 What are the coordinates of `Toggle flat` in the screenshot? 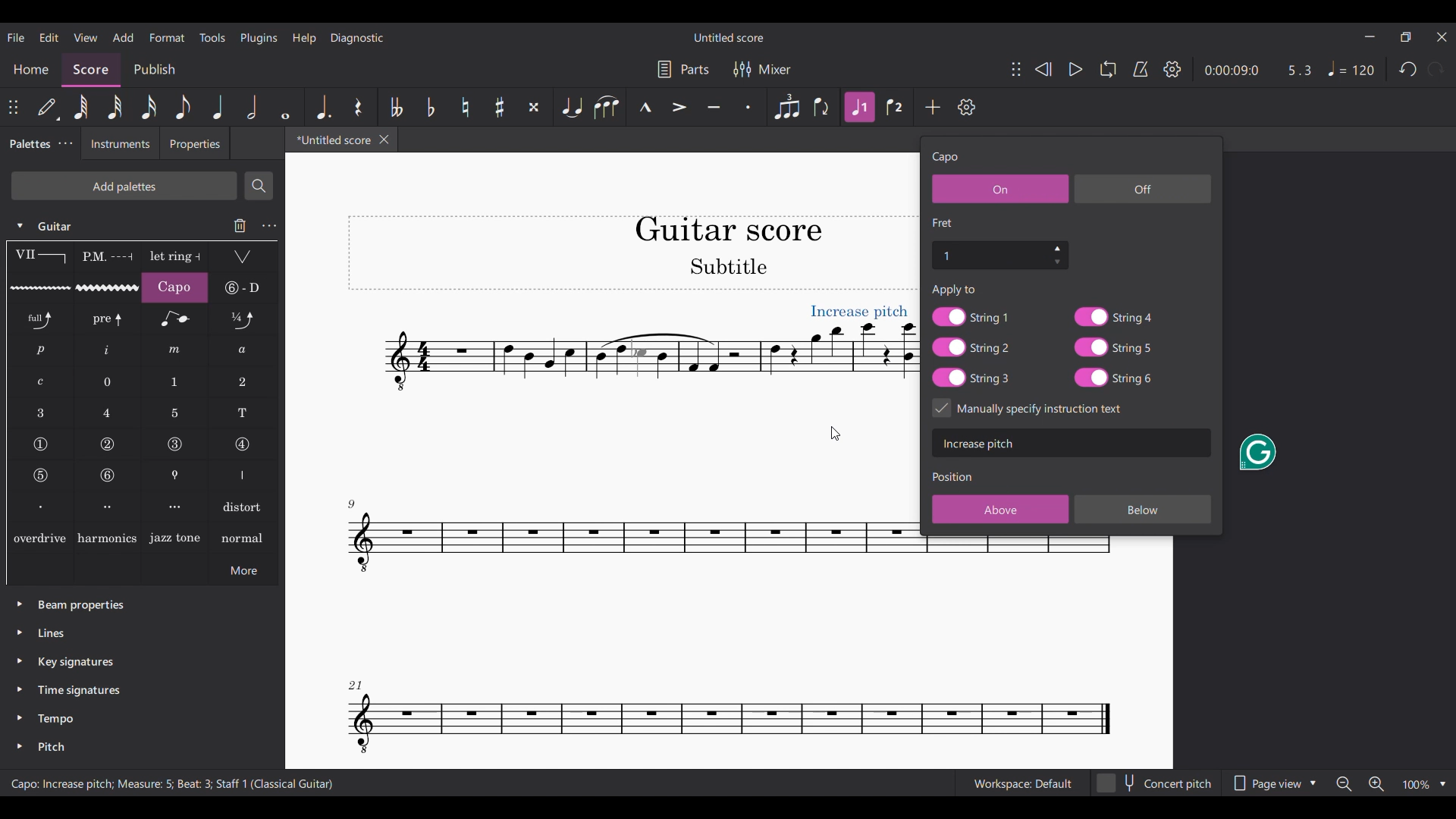 It's located at (430, 107).